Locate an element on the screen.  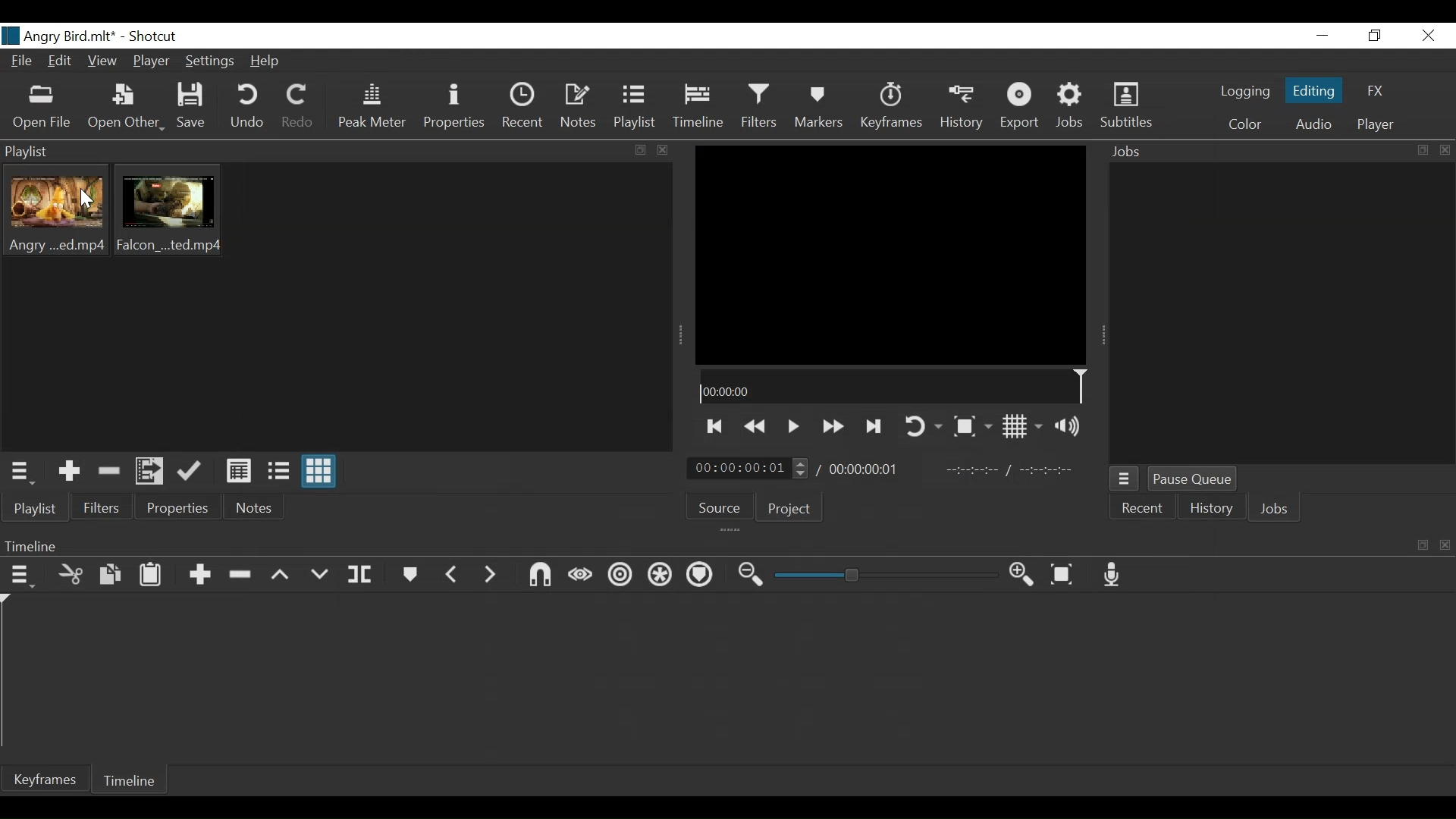
Shotcut is located at coordinates (157, 36).